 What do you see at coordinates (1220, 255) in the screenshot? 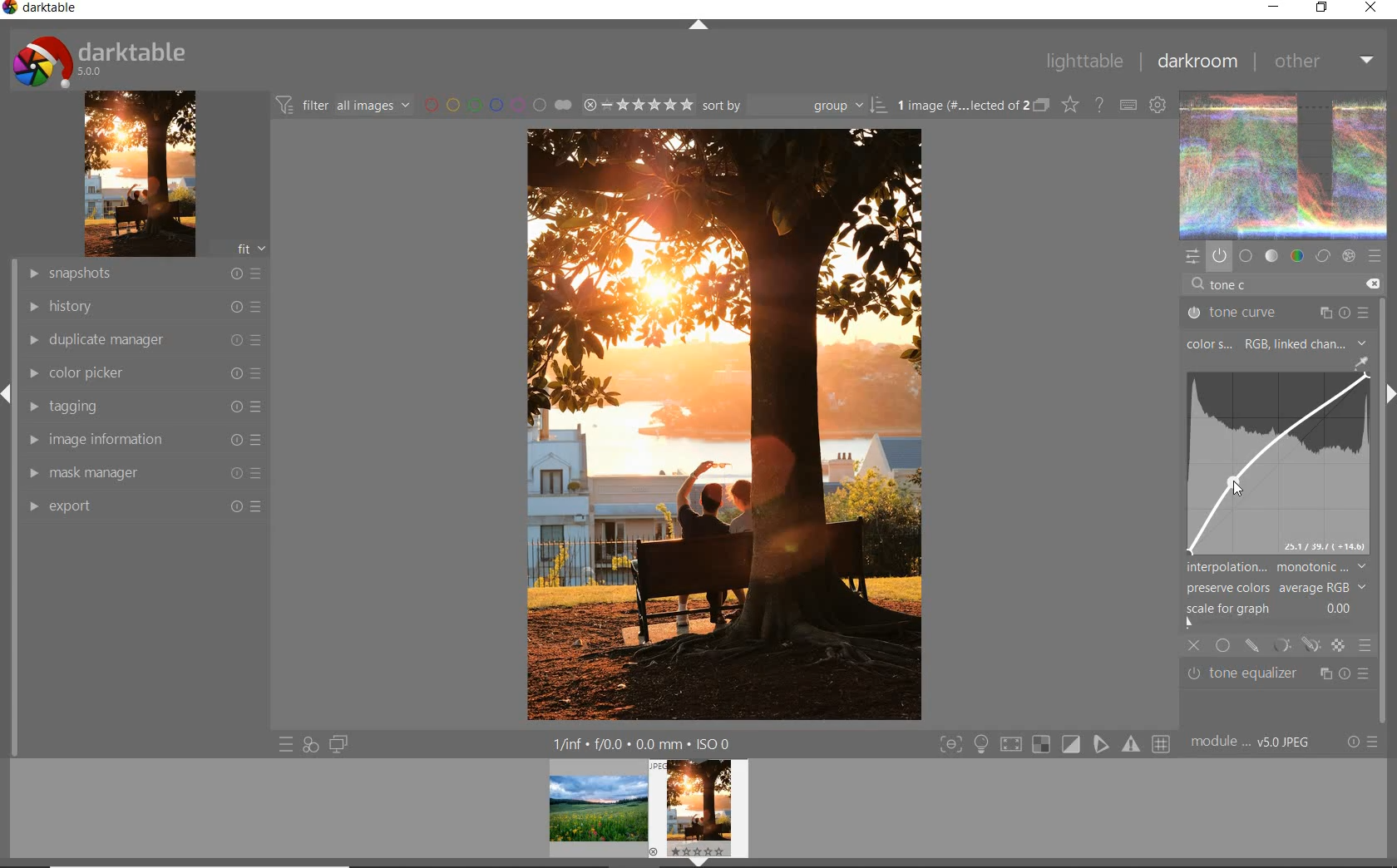
I see `show only active modules` at bounding box center [1220, 255].